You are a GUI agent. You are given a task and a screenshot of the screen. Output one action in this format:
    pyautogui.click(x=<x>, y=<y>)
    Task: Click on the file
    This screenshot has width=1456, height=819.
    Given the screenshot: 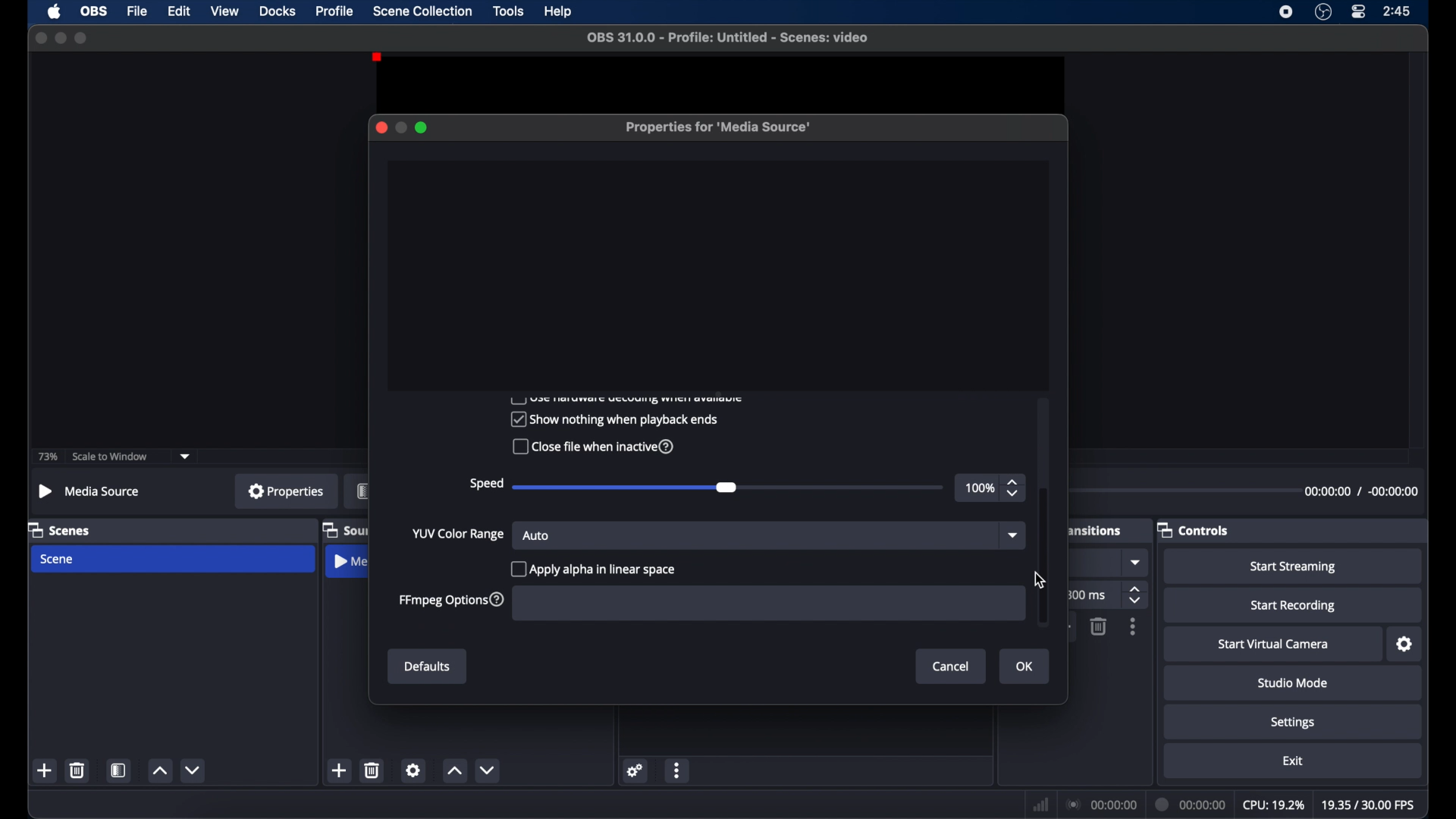 What is the action you would take?
    pyautogui.click(x=138, y=11)
    